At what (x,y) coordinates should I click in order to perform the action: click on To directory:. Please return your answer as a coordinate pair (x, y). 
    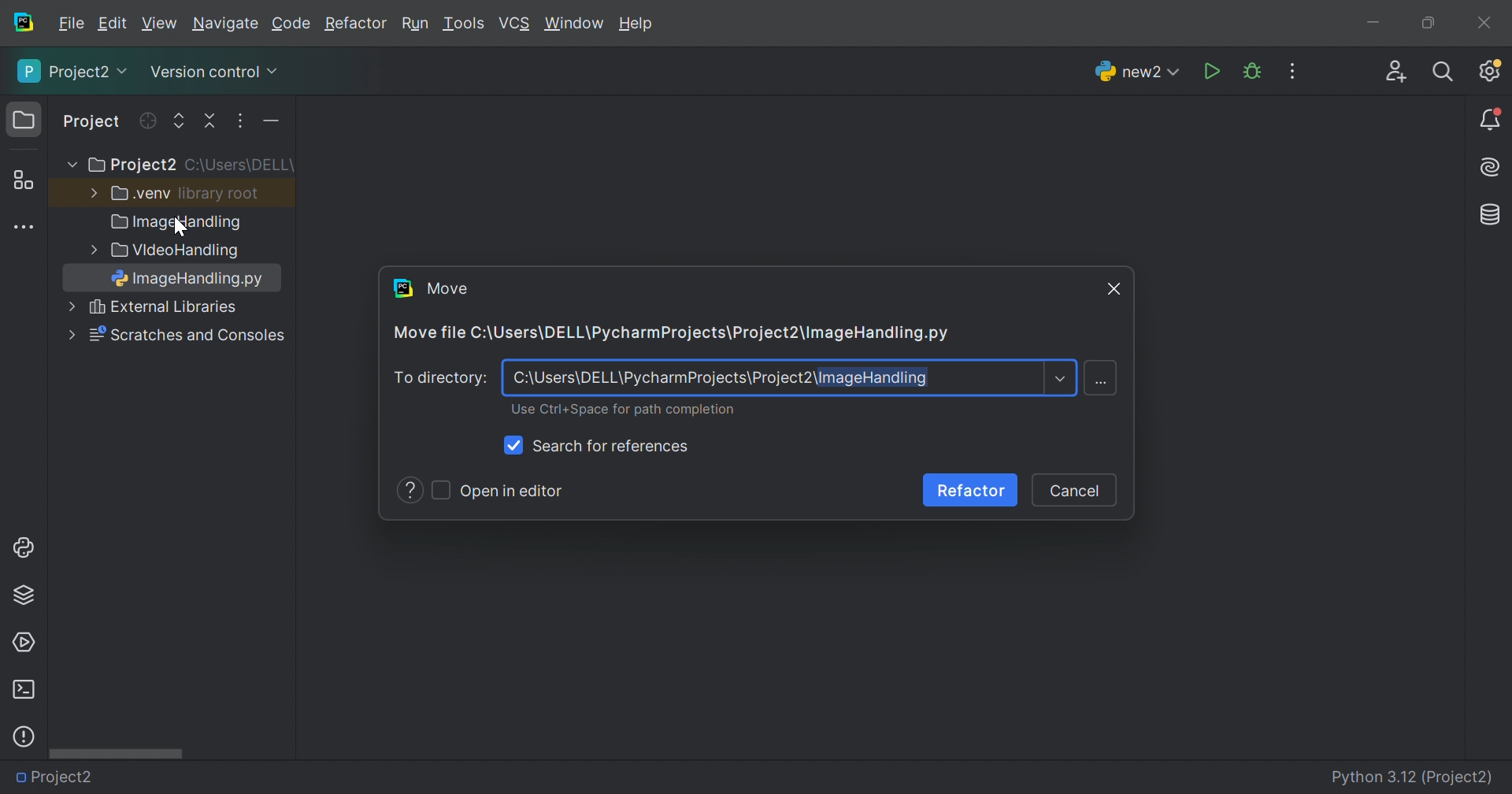
    Looking at the image, I should click on (439, 378).